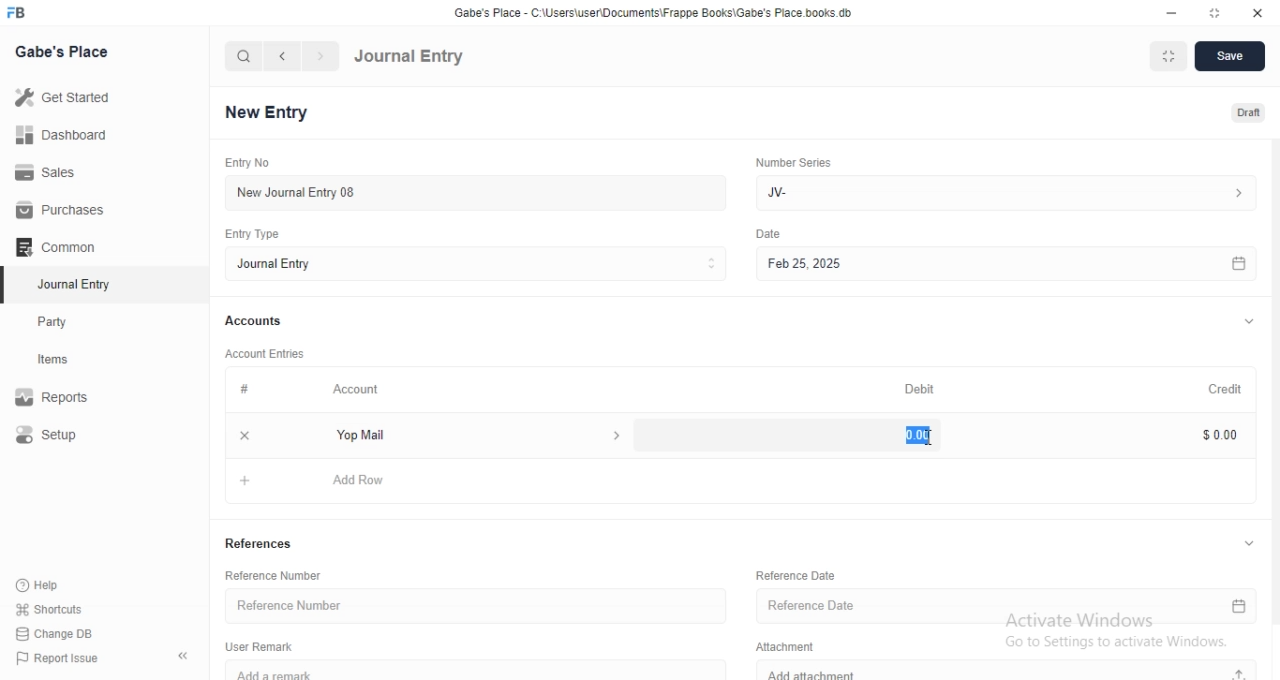 The image size is (1280, 680). I want to click on shortcuts, so click(62, 608).